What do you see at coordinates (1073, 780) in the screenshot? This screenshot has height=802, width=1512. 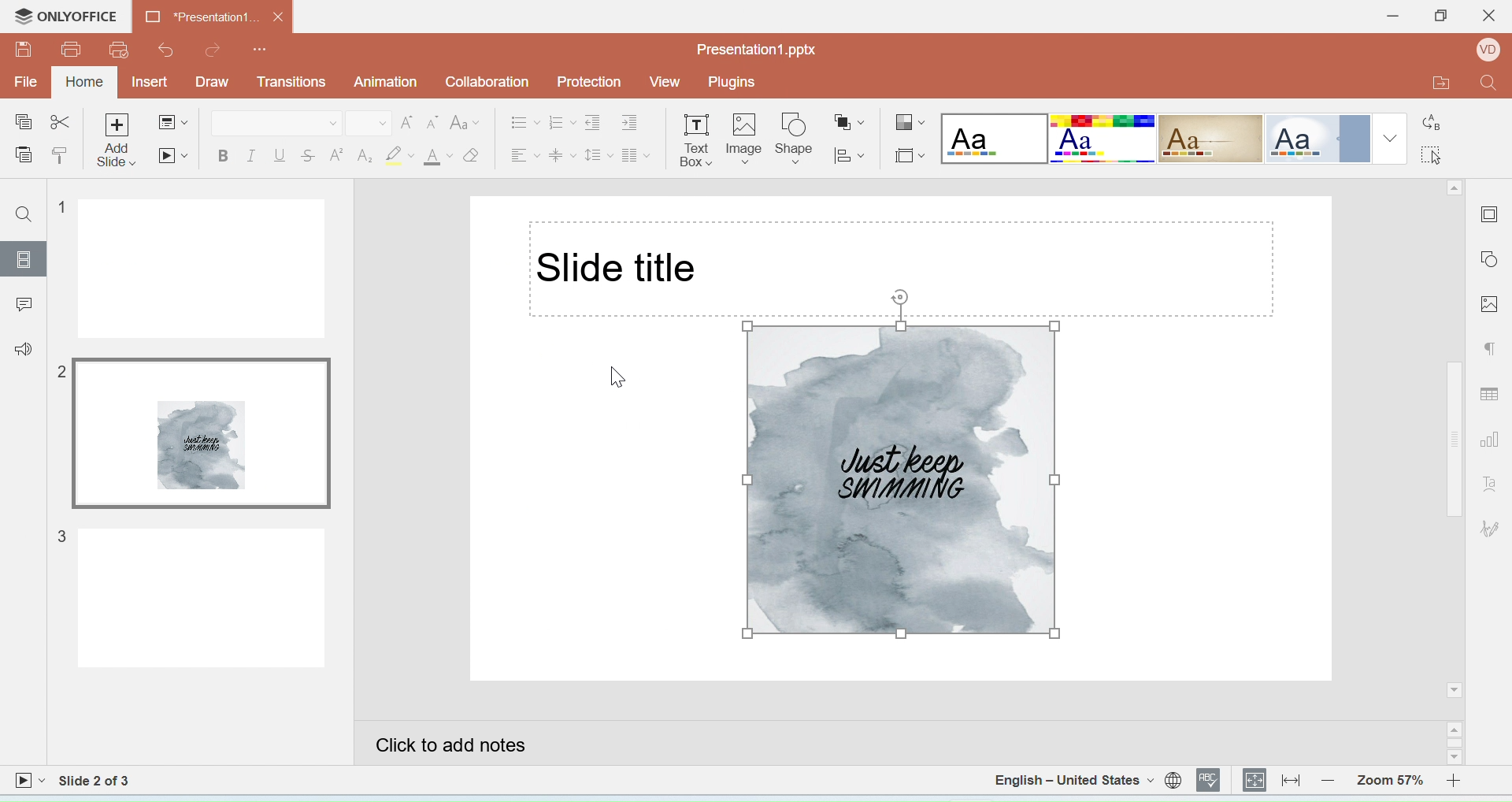 I see `Set text language` at bounding box center [1073, 780].